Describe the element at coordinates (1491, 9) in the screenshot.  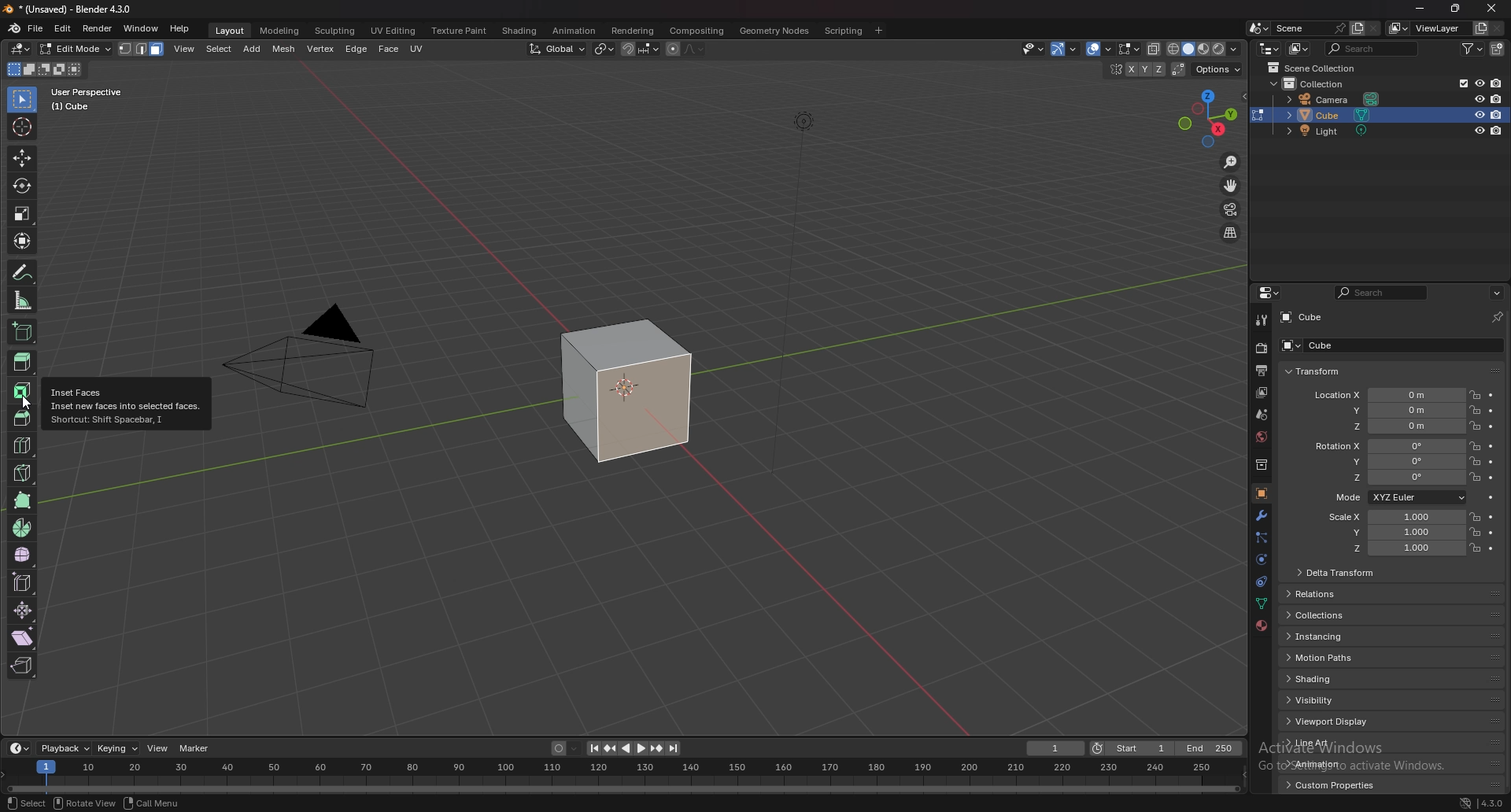
I see `close` at that location.